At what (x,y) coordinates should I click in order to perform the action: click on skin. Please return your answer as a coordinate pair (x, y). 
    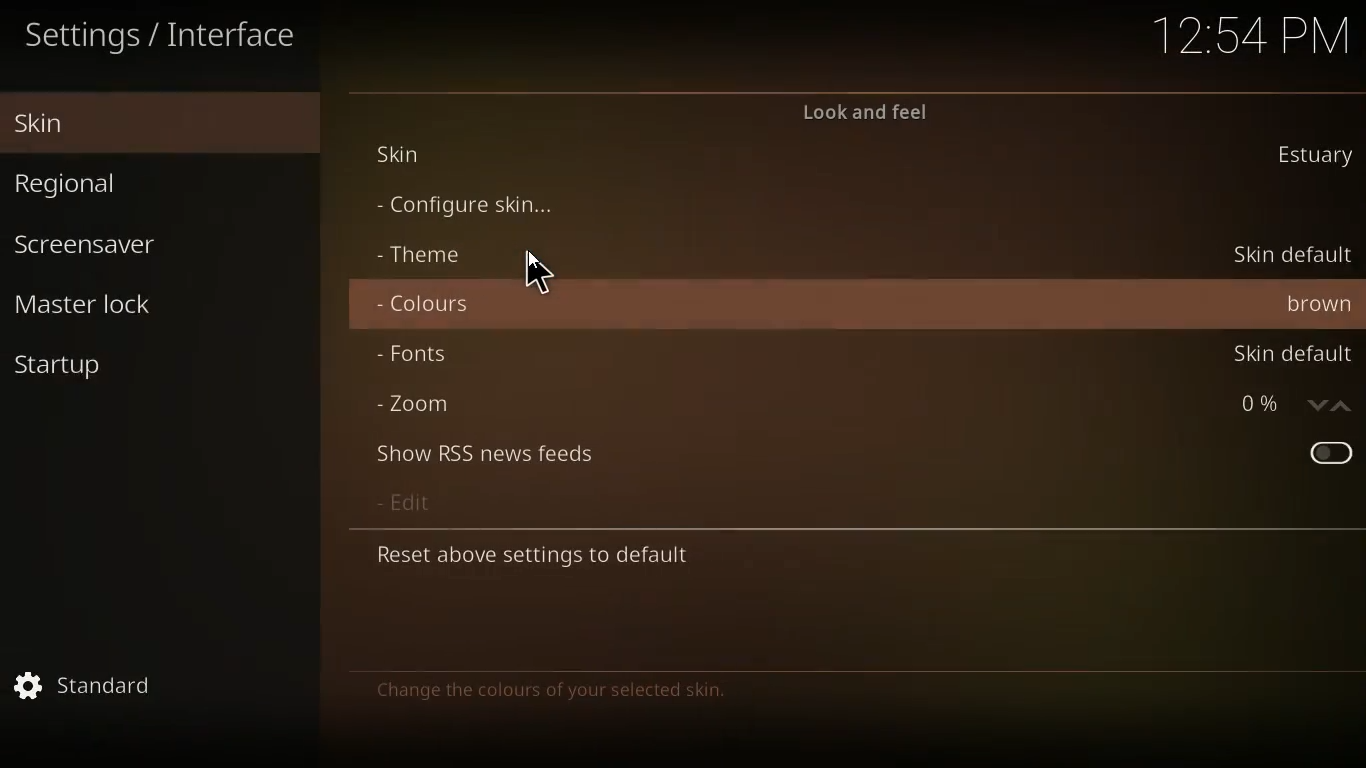
    Looking at the image, I should click on (131, 121).